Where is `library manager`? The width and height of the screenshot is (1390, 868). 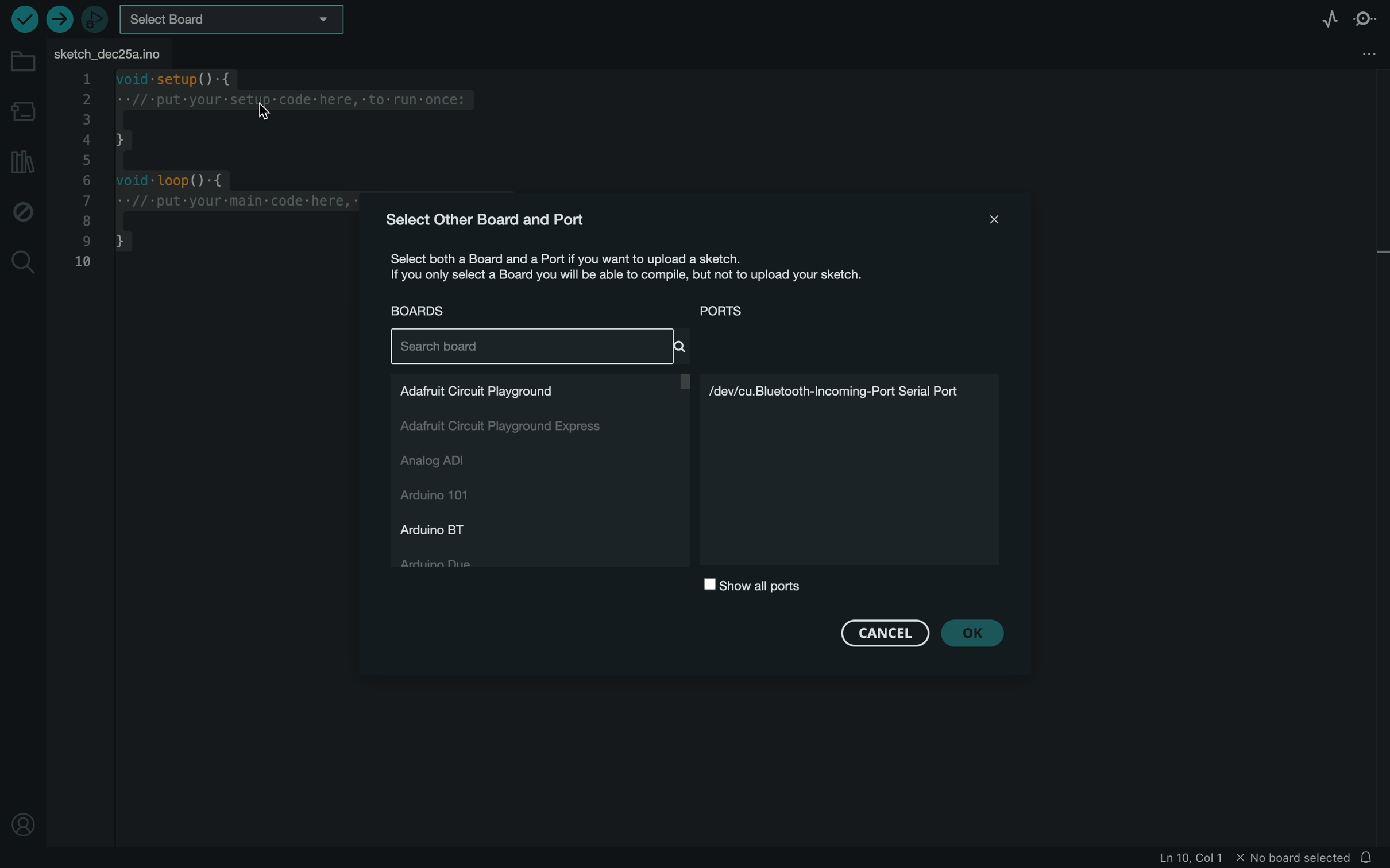
library manager is located at coordinates (22, 161).